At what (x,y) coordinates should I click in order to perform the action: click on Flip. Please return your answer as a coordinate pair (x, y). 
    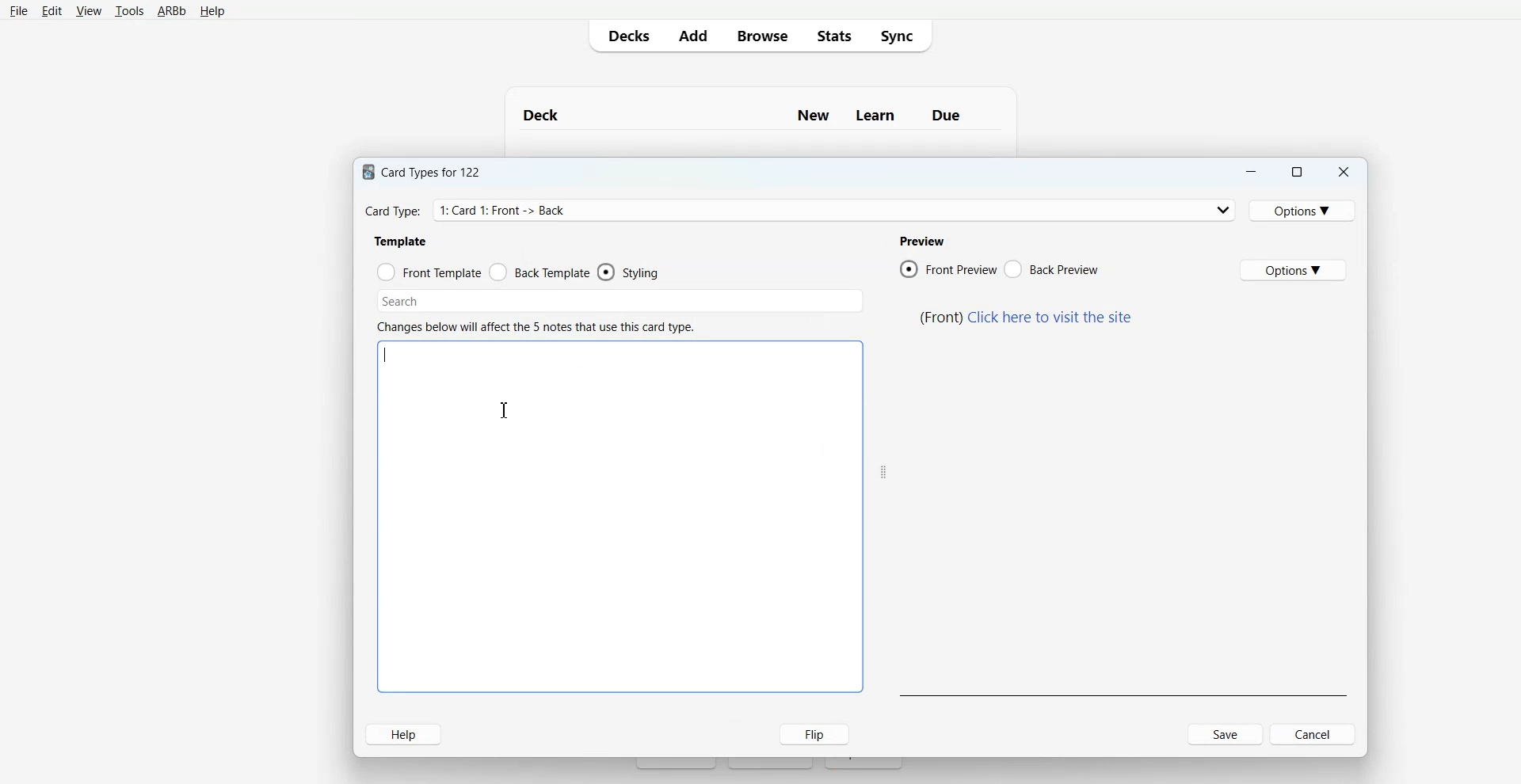
    Looking at the image, I should click on (808, 734).